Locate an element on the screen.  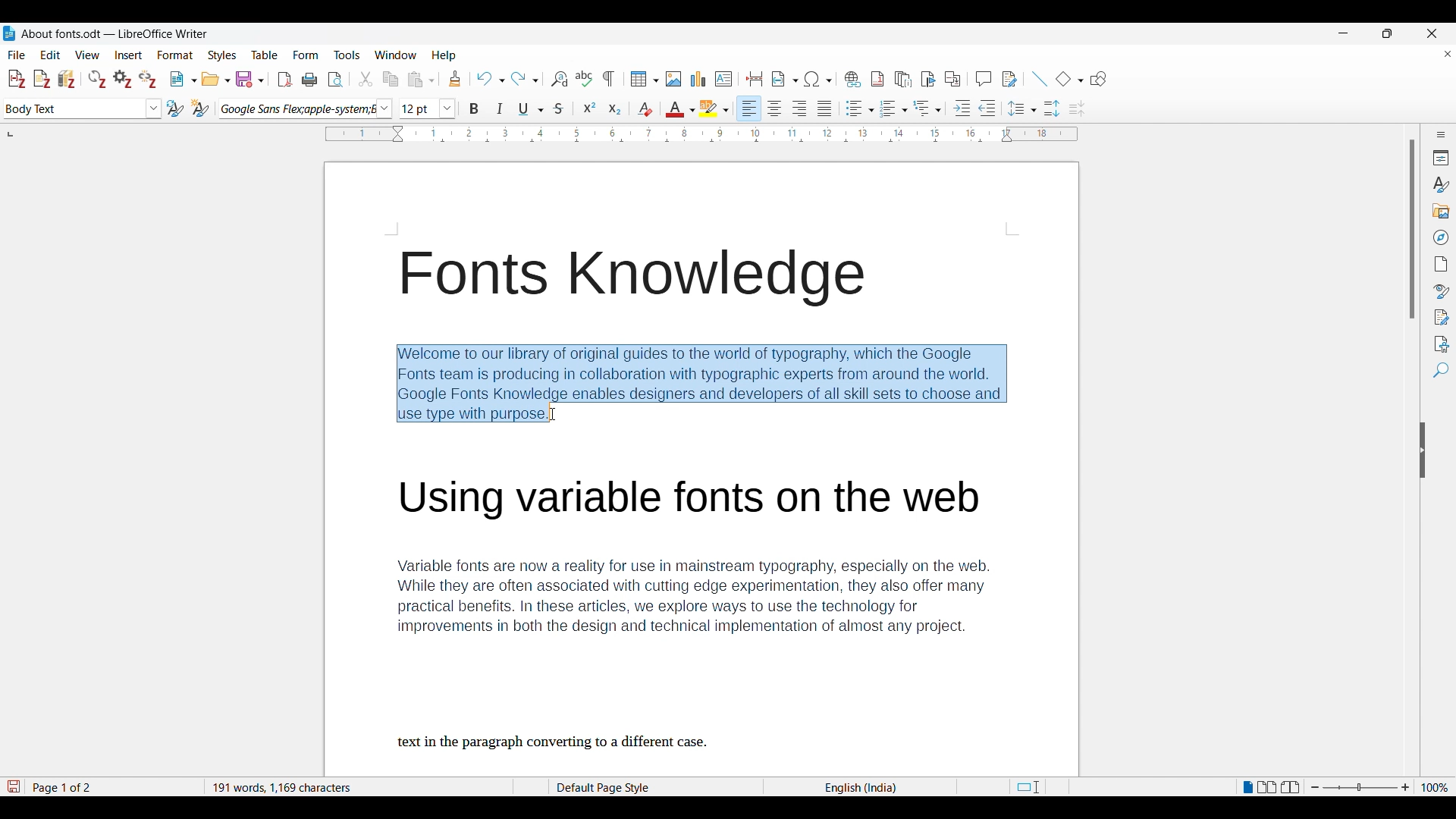
Insert table is located at coordinates (645, 79).